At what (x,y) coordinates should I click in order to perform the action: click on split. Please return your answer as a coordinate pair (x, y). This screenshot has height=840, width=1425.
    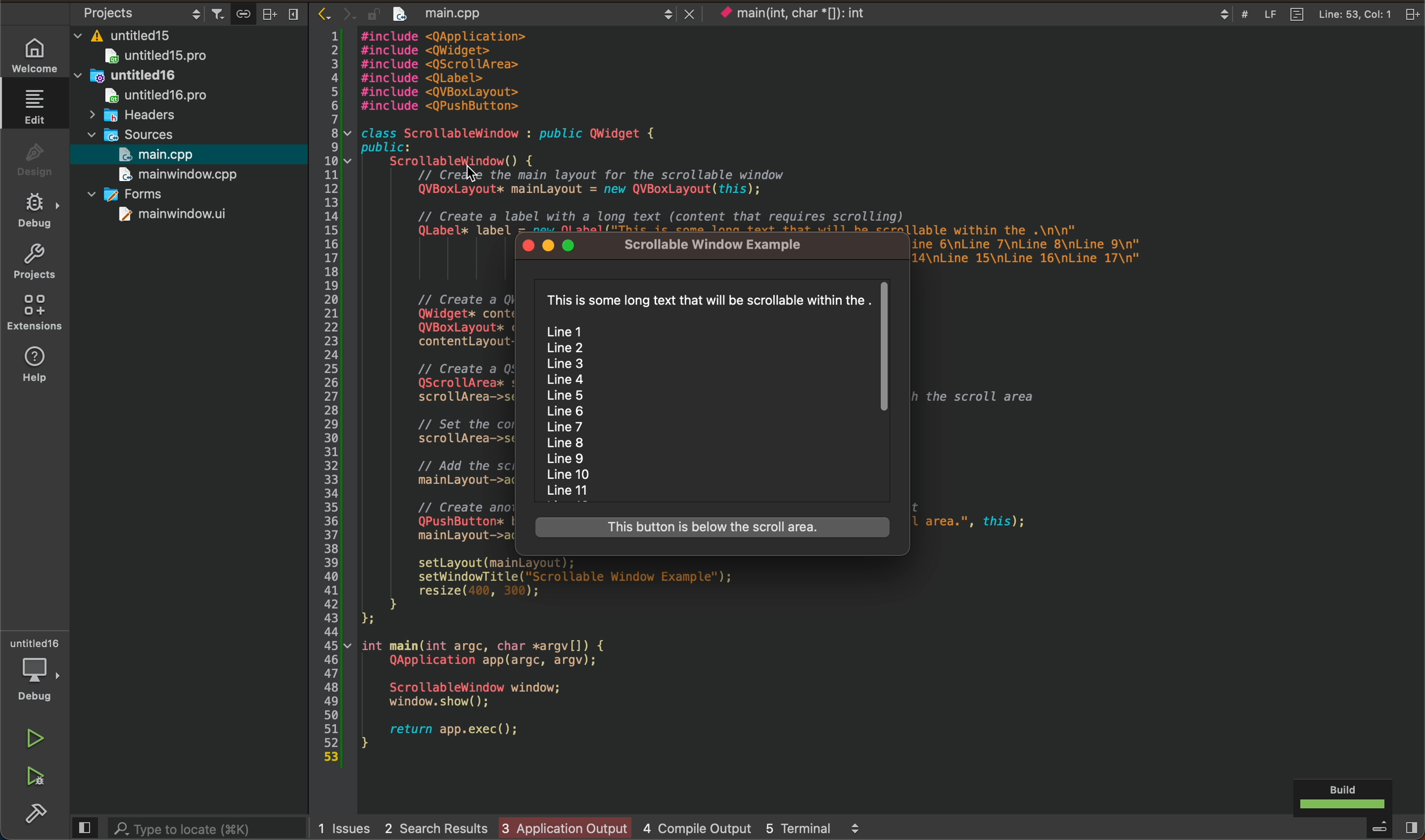
    Looking at the image, I should click on (268, 13).